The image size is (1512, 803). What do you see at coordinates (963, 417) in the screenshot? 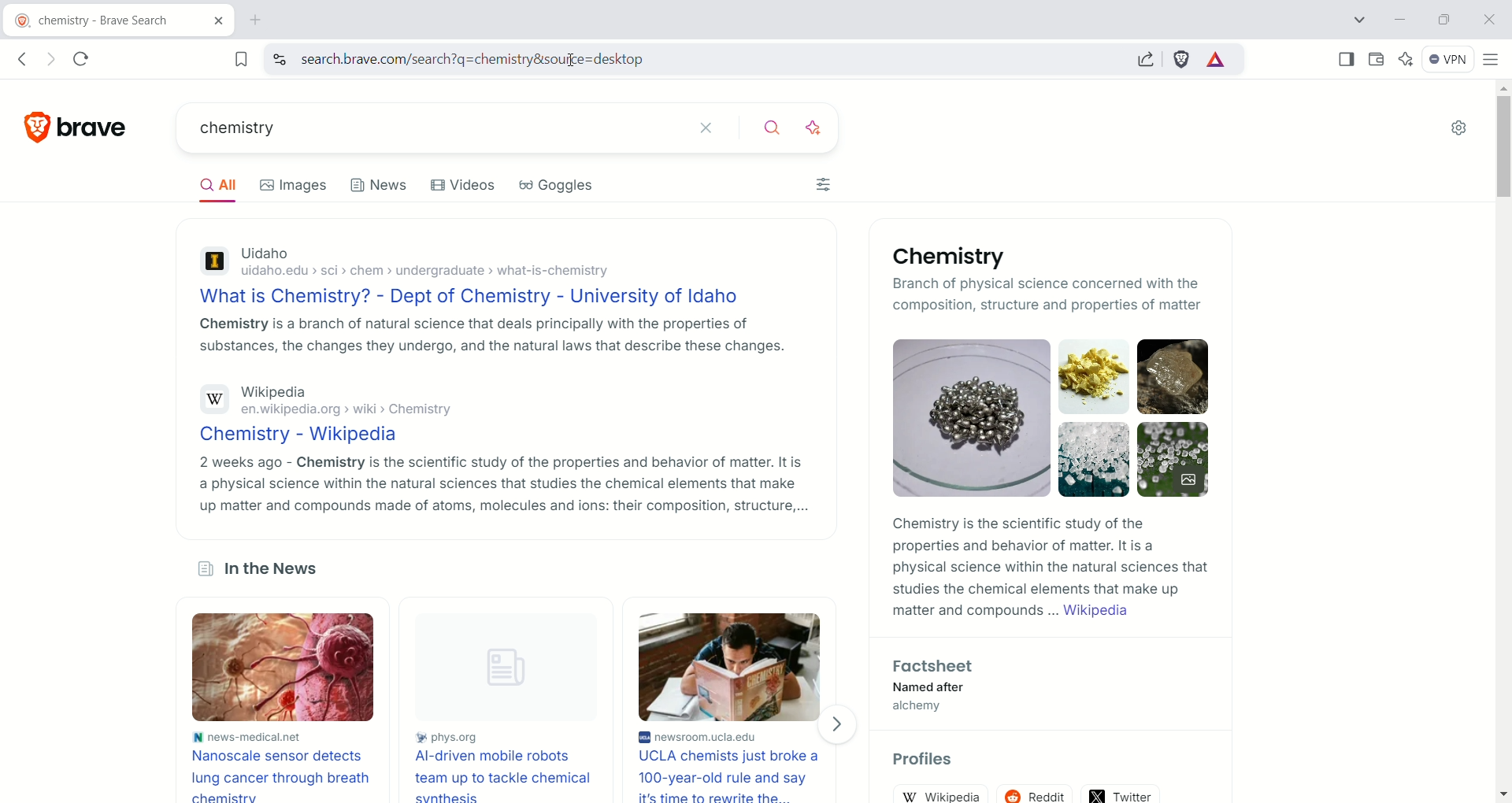
I see `images of chemical compounds` at bounding box center [963, 417].